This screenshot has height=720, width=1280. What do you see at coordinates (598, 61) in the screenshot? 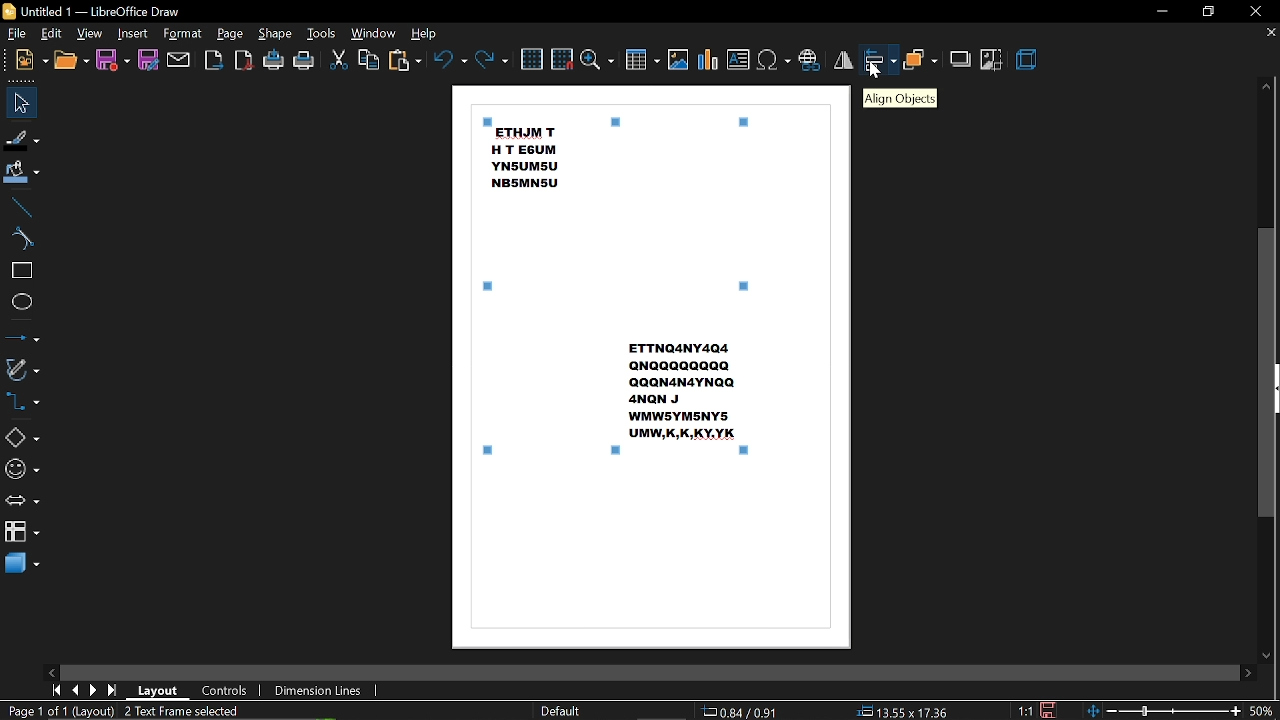
I see `zoom` at bounding box center [598, 61].